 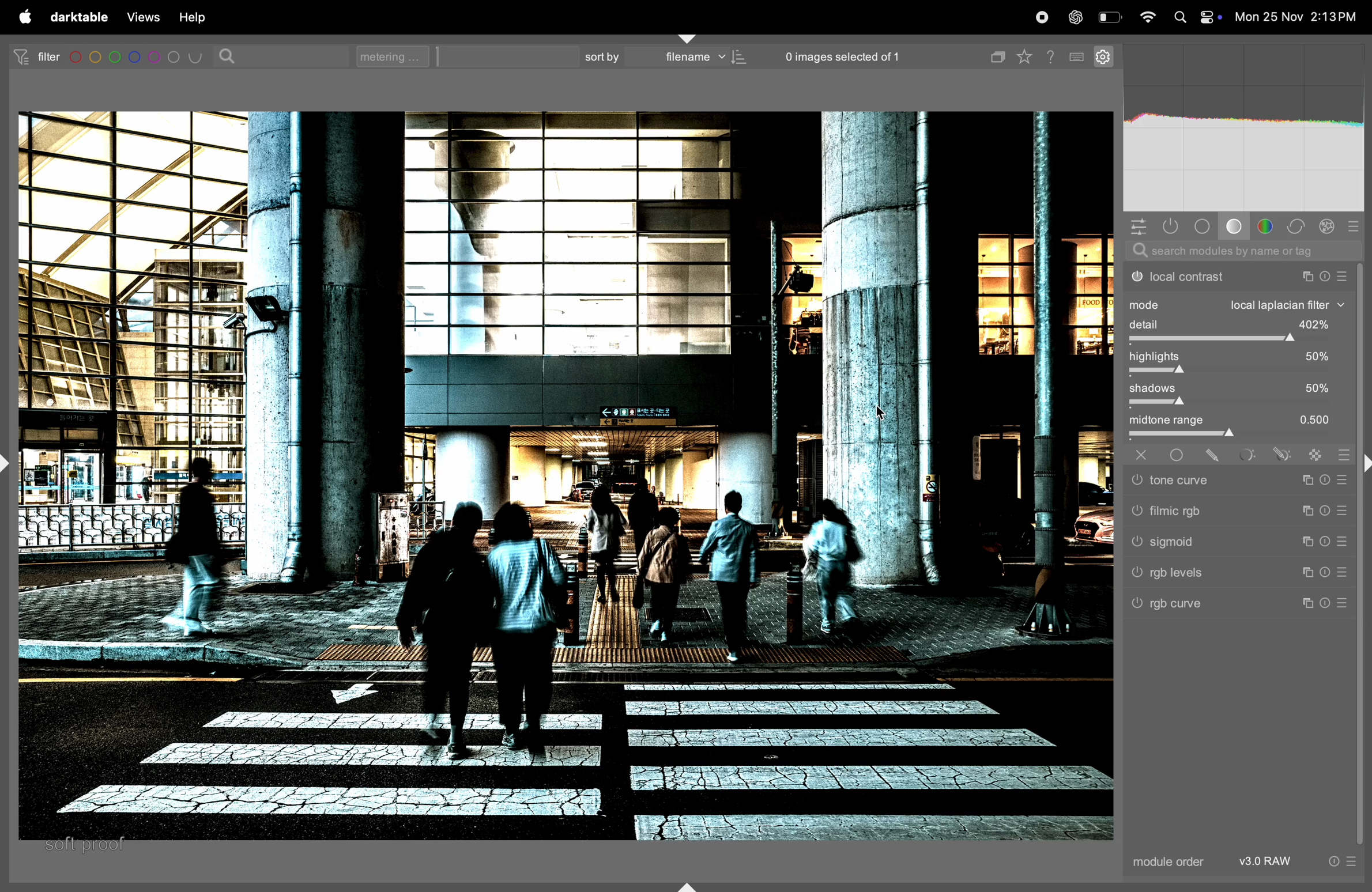 I want to click on tone, so click(x=1204, y=225).